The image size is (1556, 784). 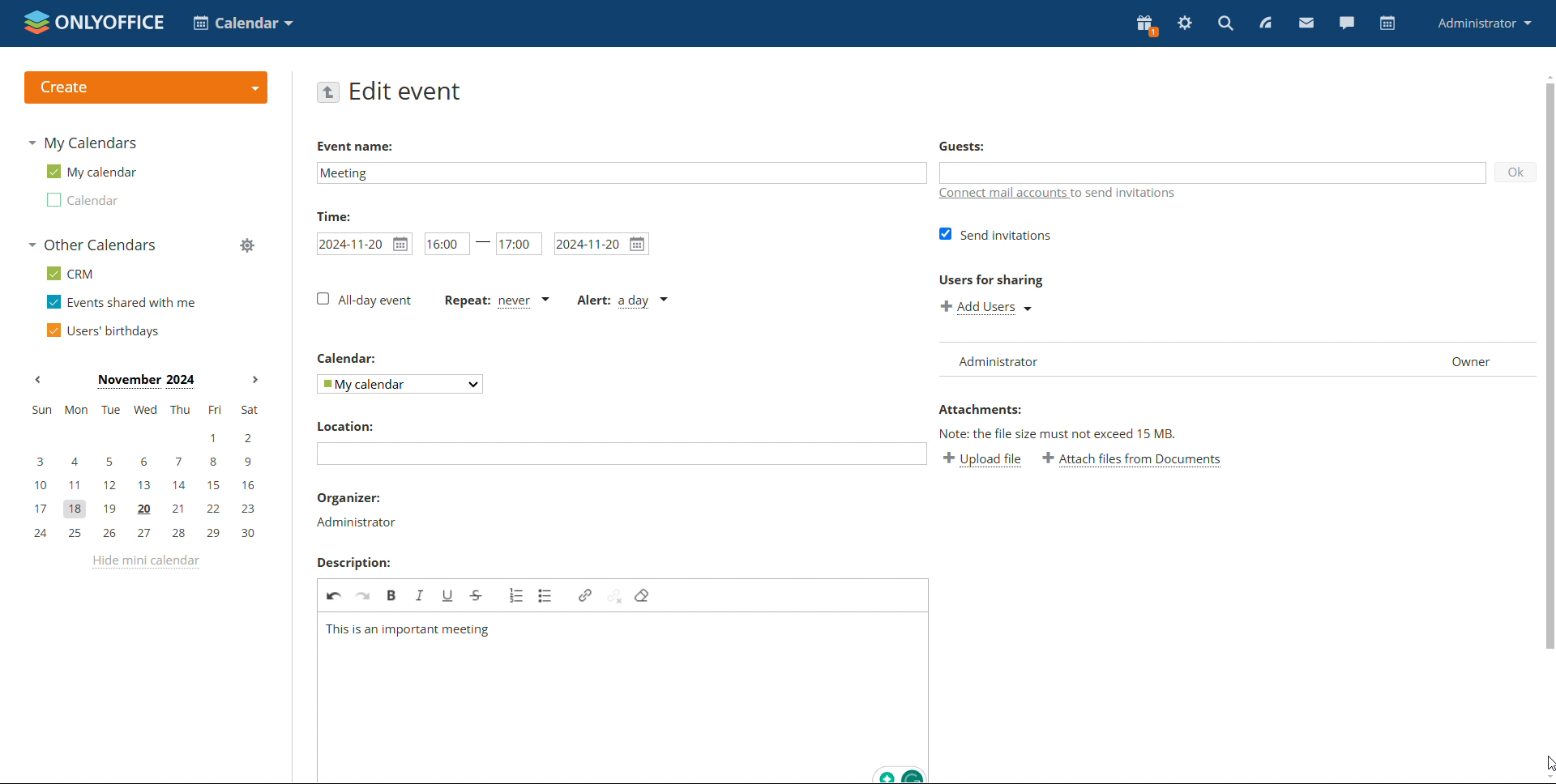 What do you see at coordinates (1060, 435) in the screenshot?
I see `note: the file size must not exceed 15 mb` at bounding box center [1060, 435].